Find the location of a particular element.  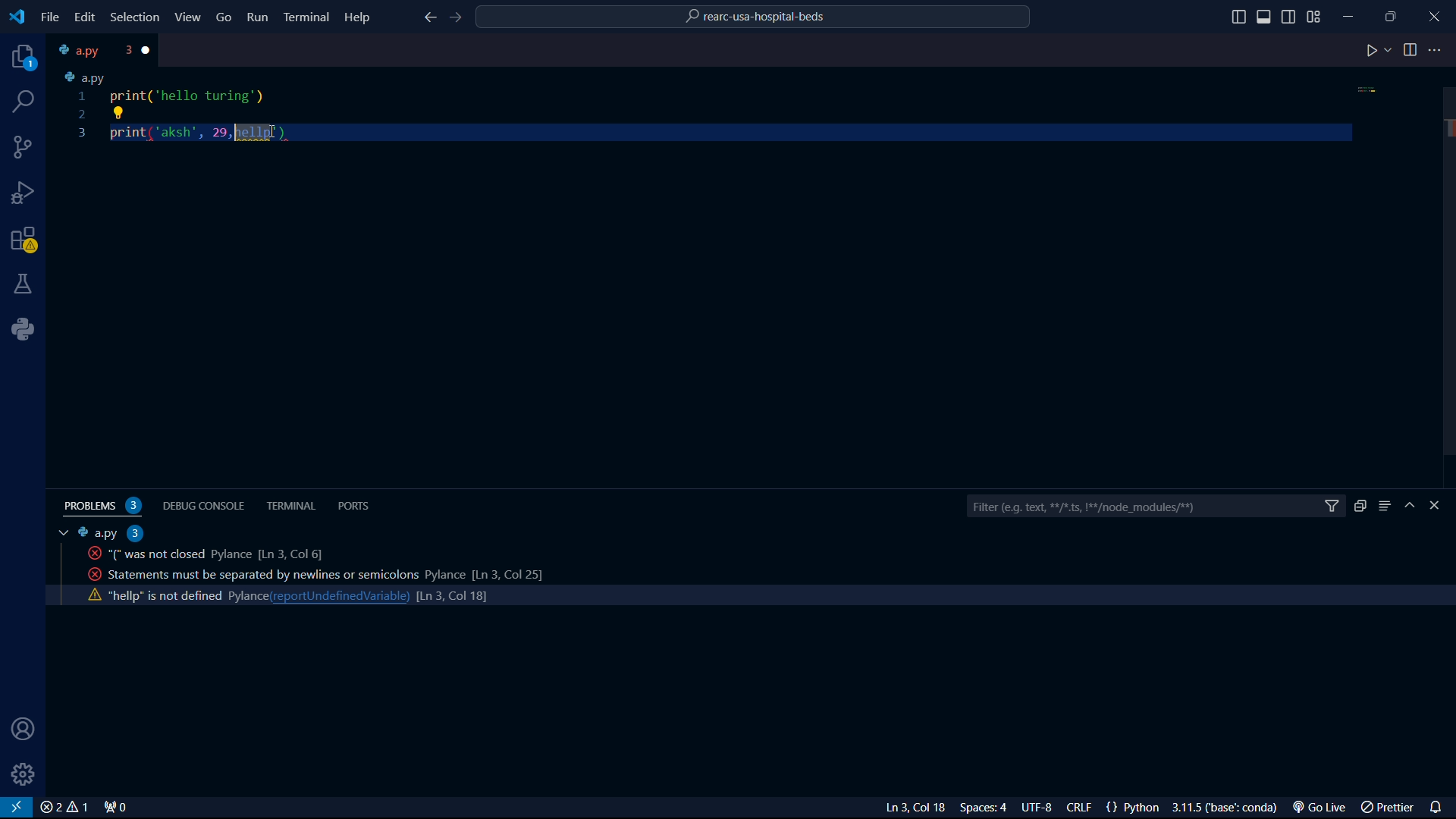

close program is located at coordinates (1435, 14).